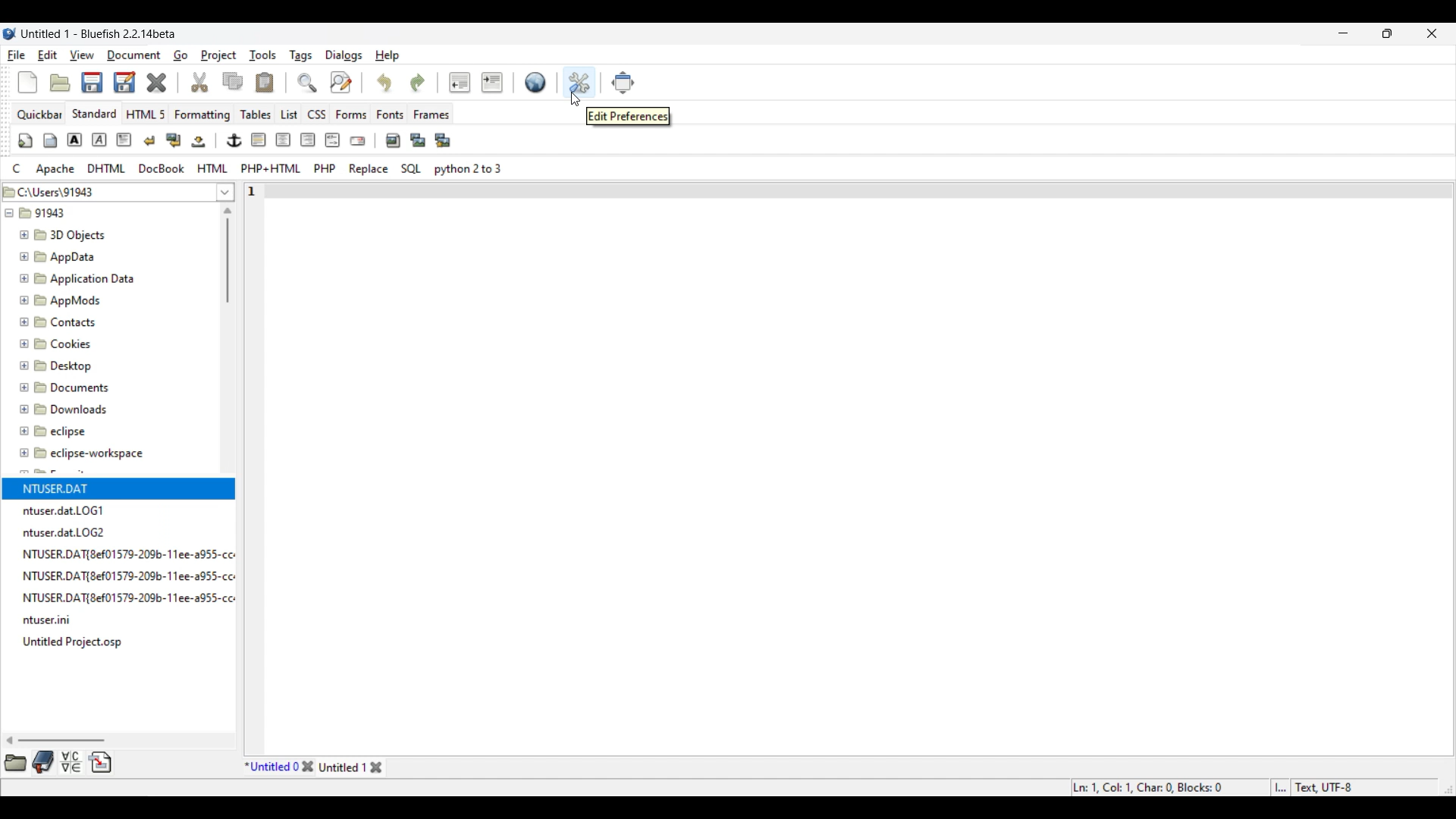 This screenshot has width=1456, height=819. I want to click on Project name, software name and version, so click(99, 33).